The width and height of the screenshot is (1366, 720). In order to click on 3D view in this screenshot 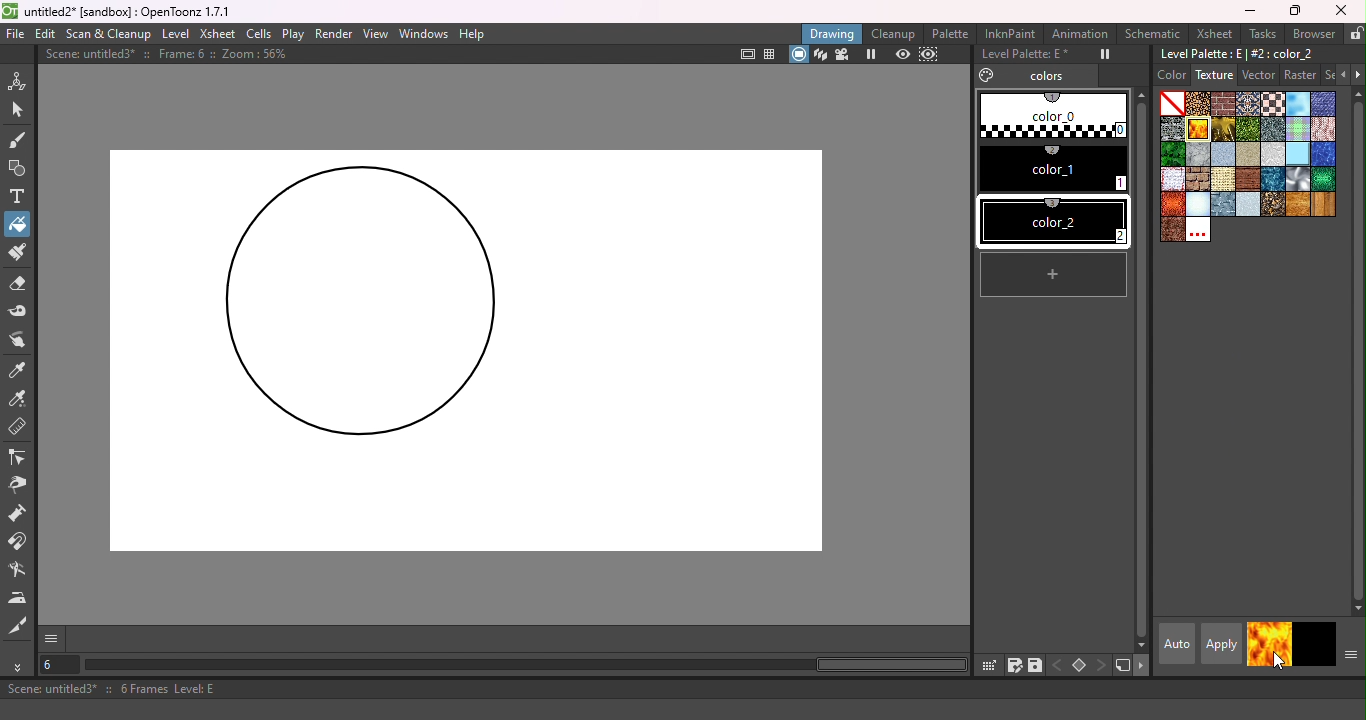, I will do `click(820, 54)`.